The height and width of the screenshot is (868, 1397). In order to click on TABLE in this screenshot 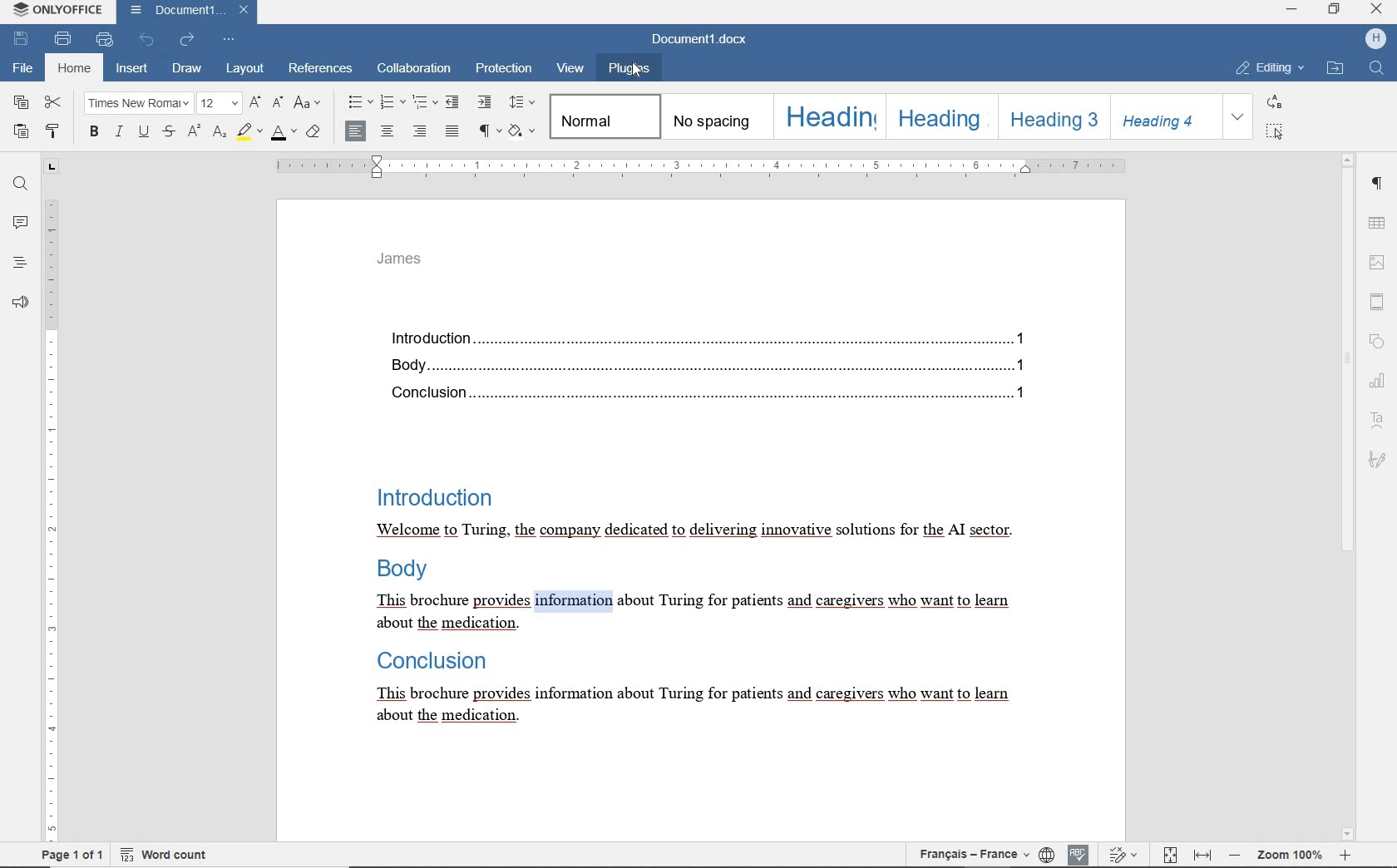, I will do `click(1379, 221)`.